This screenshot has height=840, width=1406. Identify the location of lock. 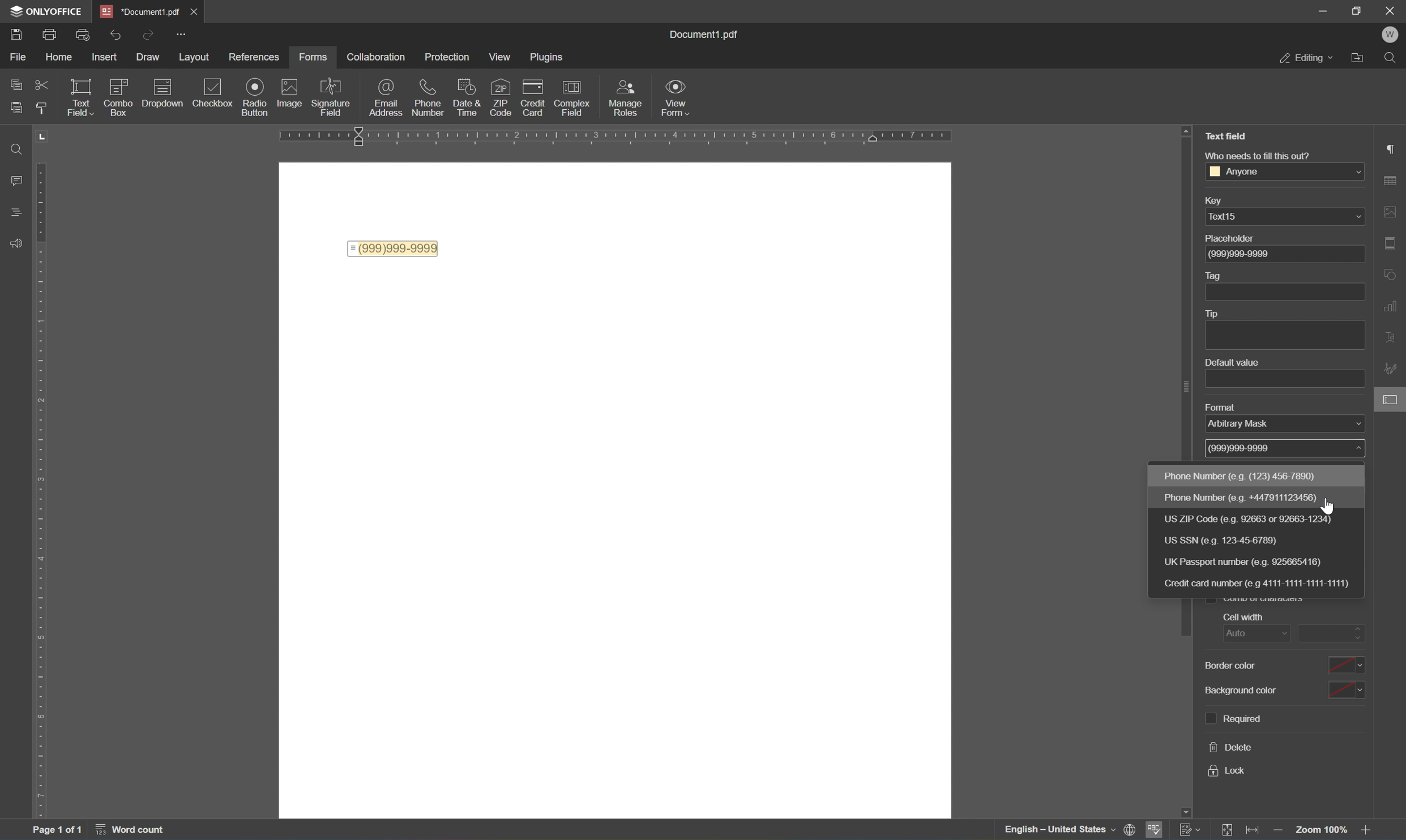
(1227, 773).